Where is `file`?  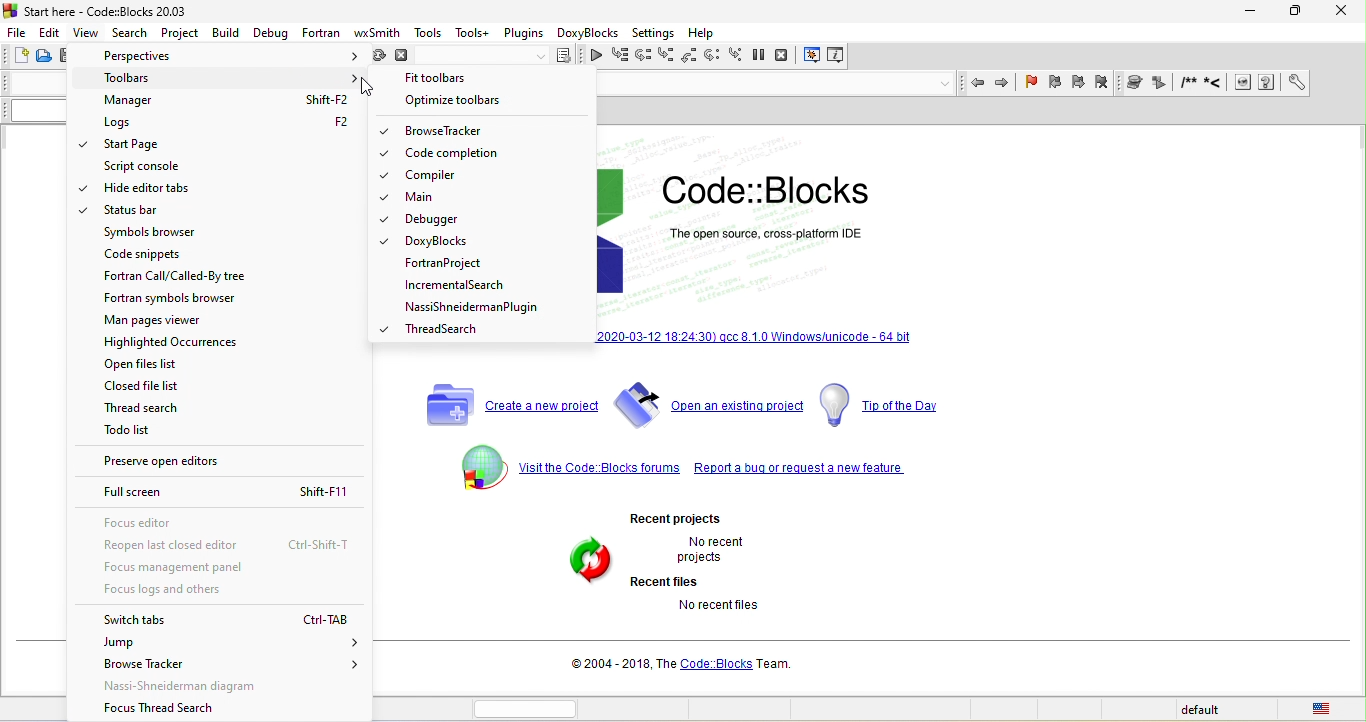
file is located at coordinates (19, 31).